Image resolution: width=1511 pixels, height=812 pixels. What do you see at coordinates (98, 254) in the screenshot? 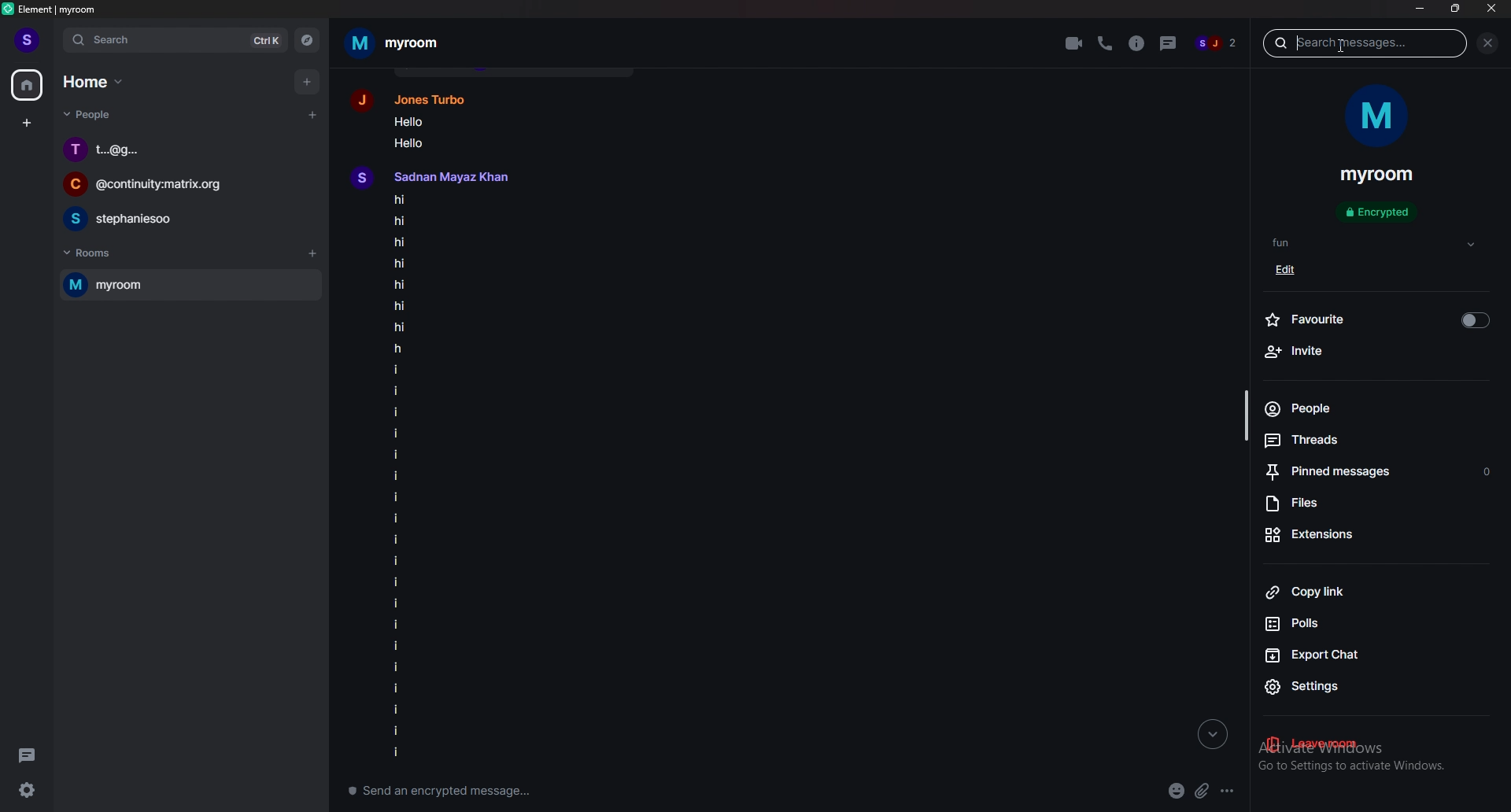
I see `rooms` at bounding box center [98, 254].